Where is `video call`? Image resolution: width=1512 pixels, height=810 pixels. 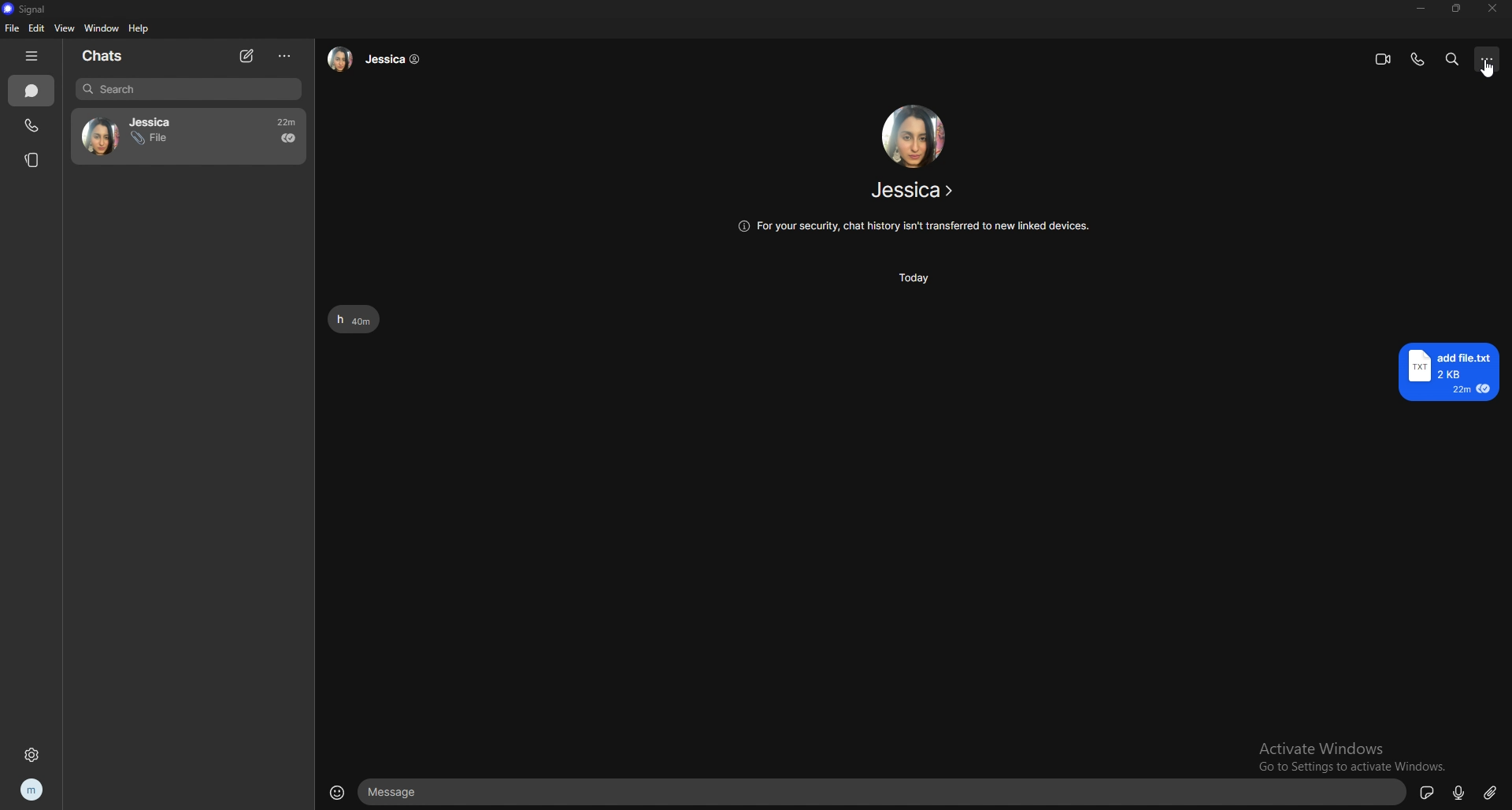 video call is located at coordinates (1384, 59).